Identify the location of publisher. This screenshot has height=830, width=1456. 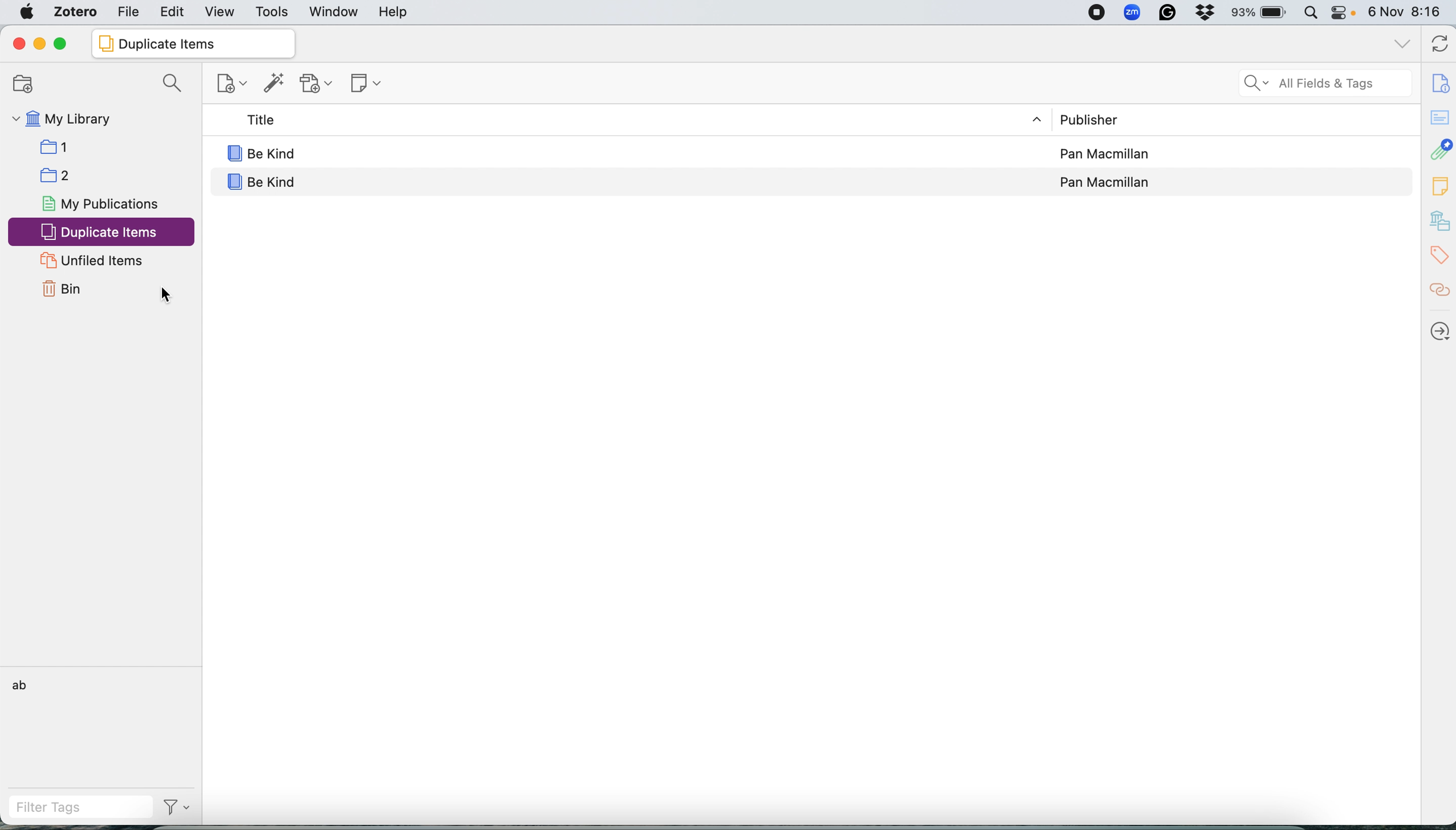
(1106, 119).